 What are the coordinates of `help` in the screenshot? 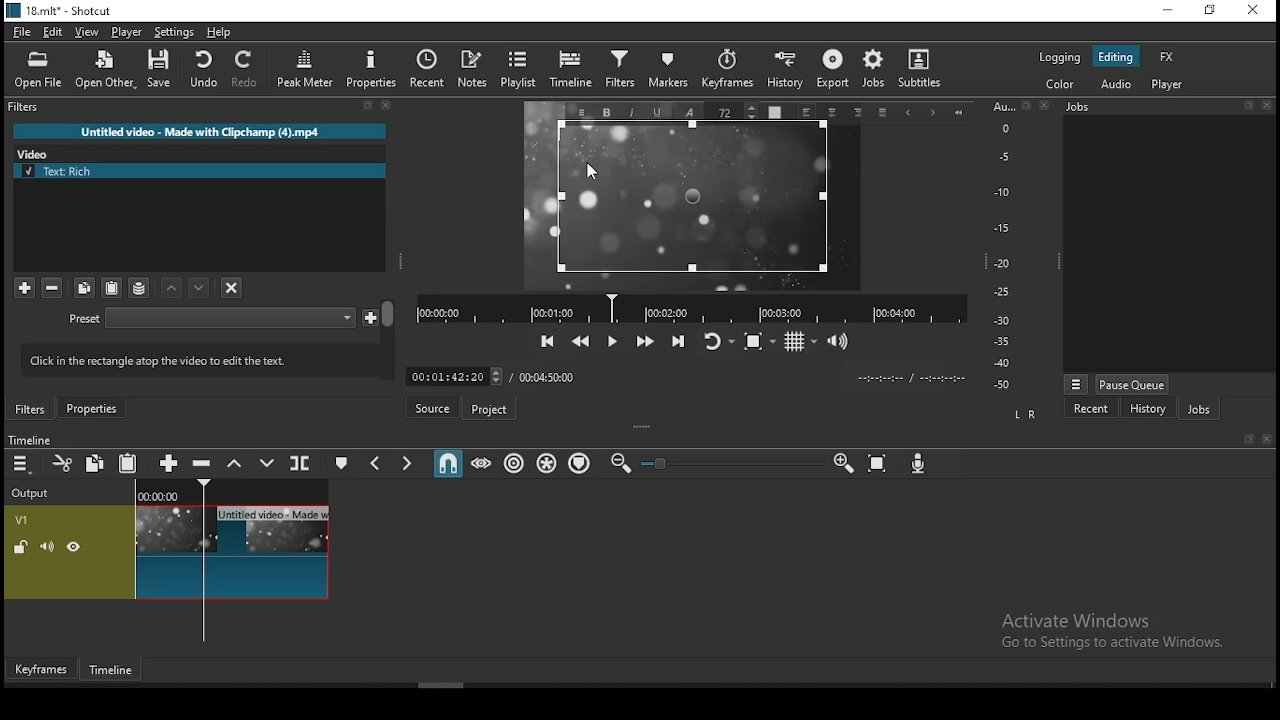 It's located at (219, 33).